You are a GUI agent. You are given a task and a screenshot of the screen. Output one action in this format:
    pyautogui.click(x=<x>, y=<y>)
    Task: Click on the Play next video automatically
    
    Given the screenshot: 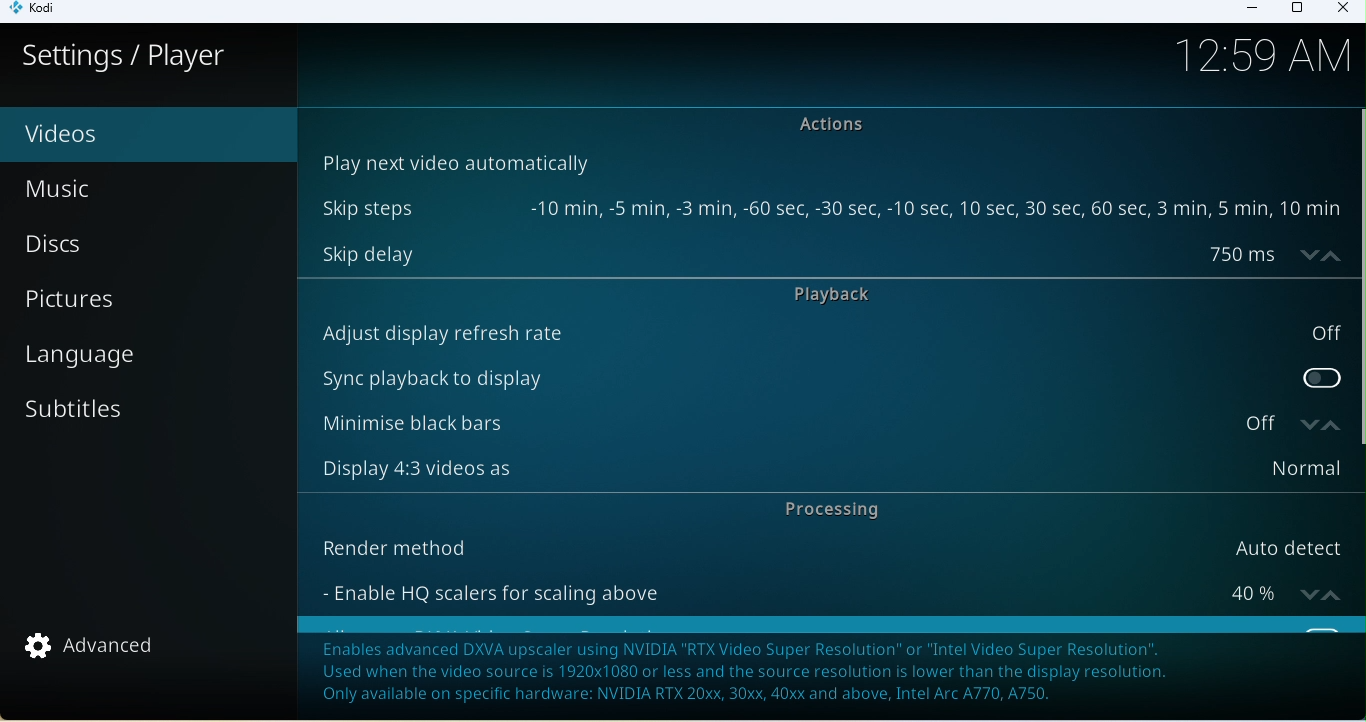 What is the action you would take?
    pyautogui.click(x=453, y=161)
    